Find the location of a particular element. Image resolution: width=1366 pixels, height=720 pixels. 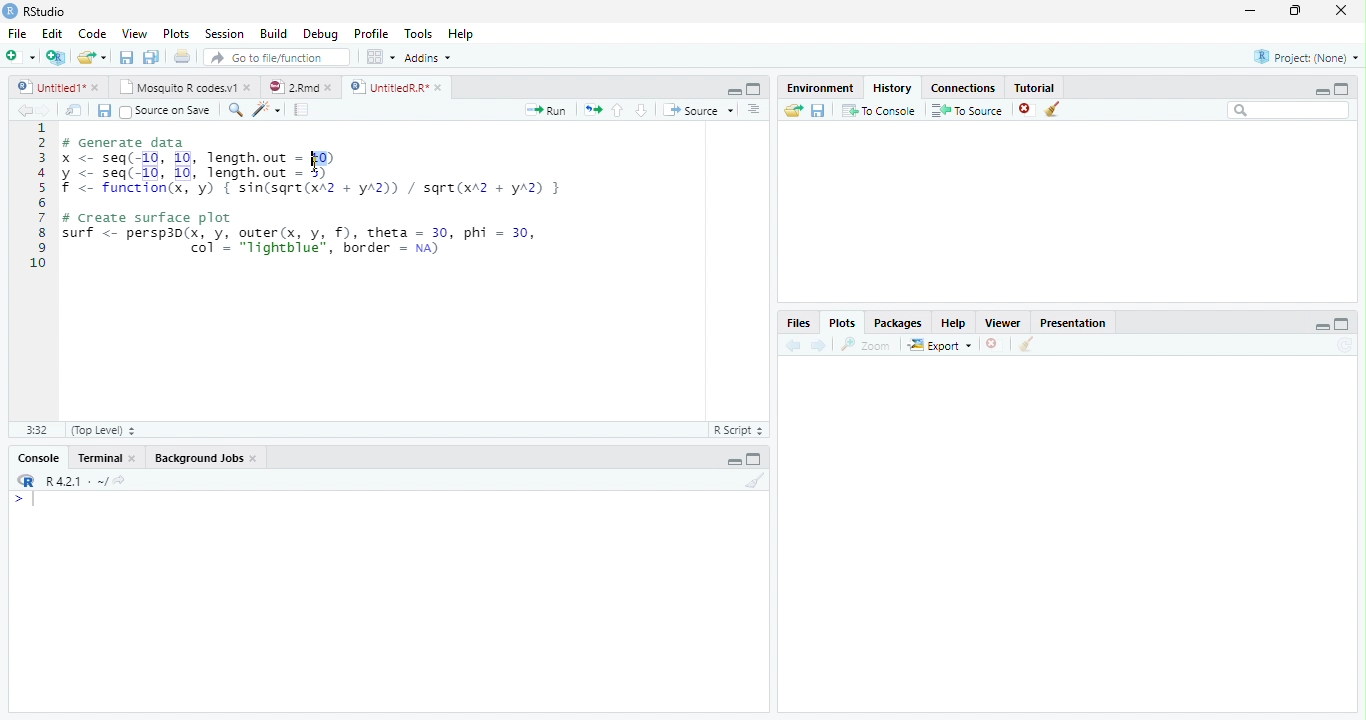

Show document outline is located at coordinates (753, 108).